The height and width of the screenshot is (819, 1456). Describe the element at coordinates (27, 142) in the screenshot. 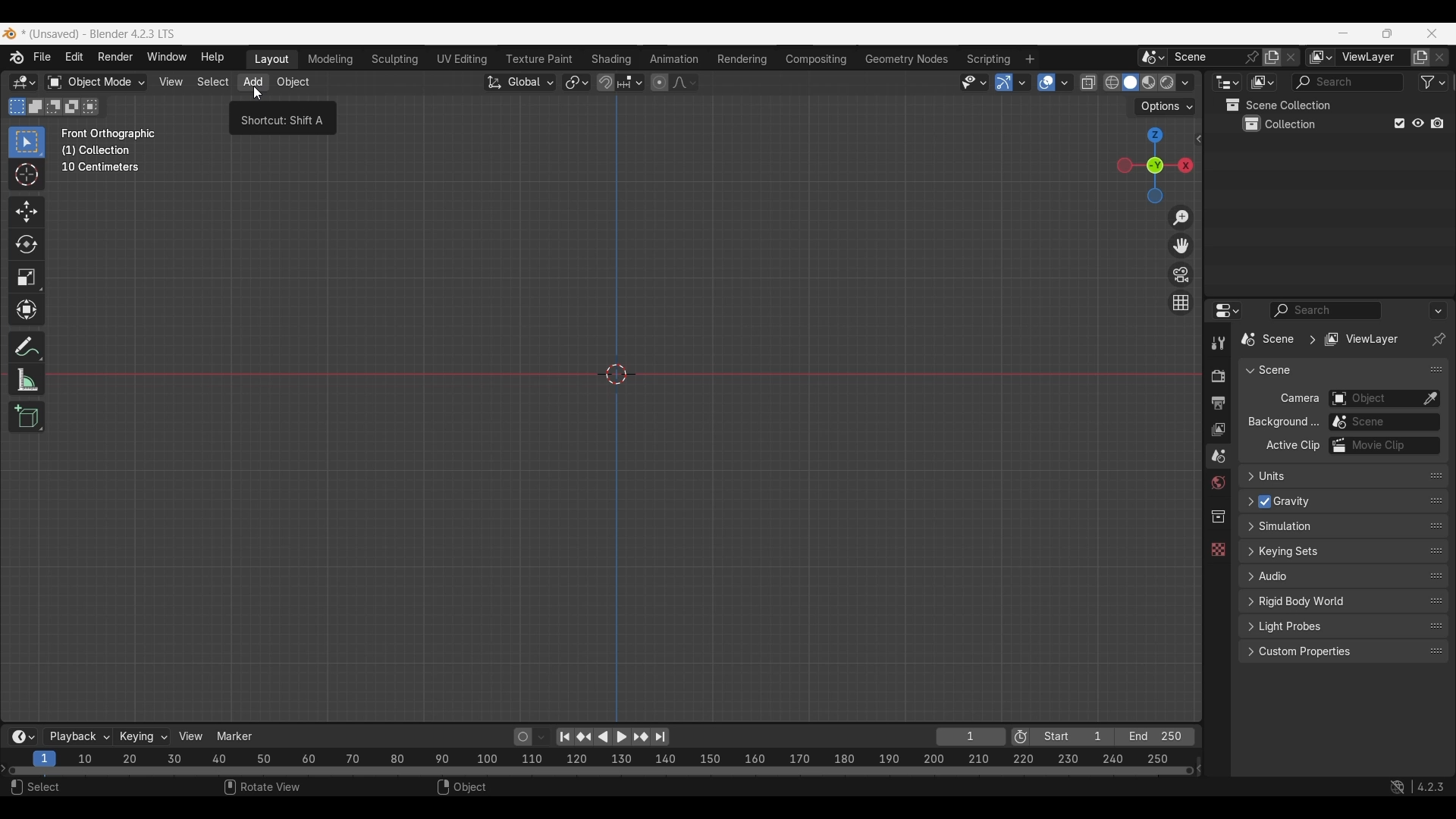

I see `Select box` at that location.